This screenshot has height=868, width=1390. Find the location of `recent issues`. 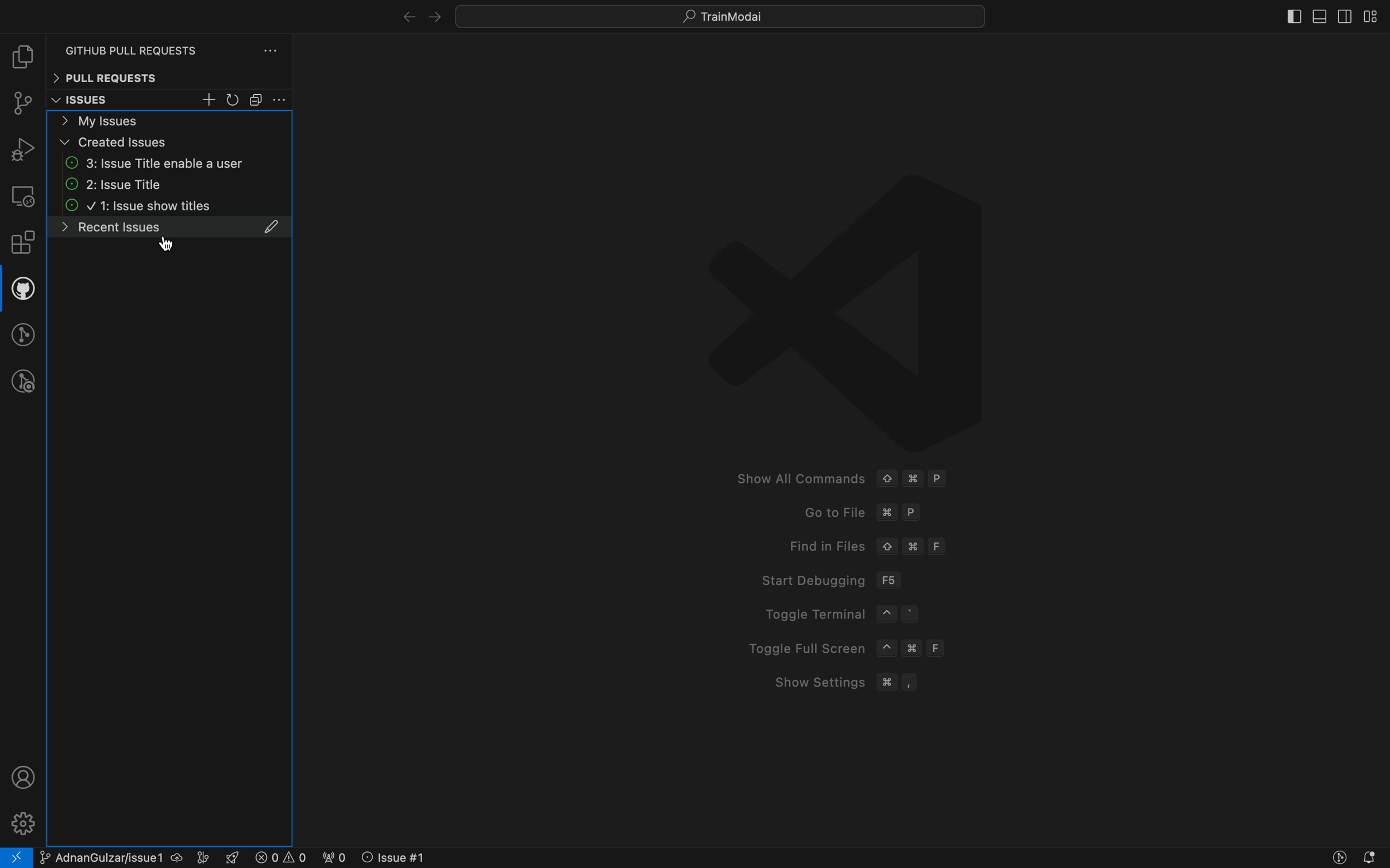

recent issues is located at coordinates (169, 234).